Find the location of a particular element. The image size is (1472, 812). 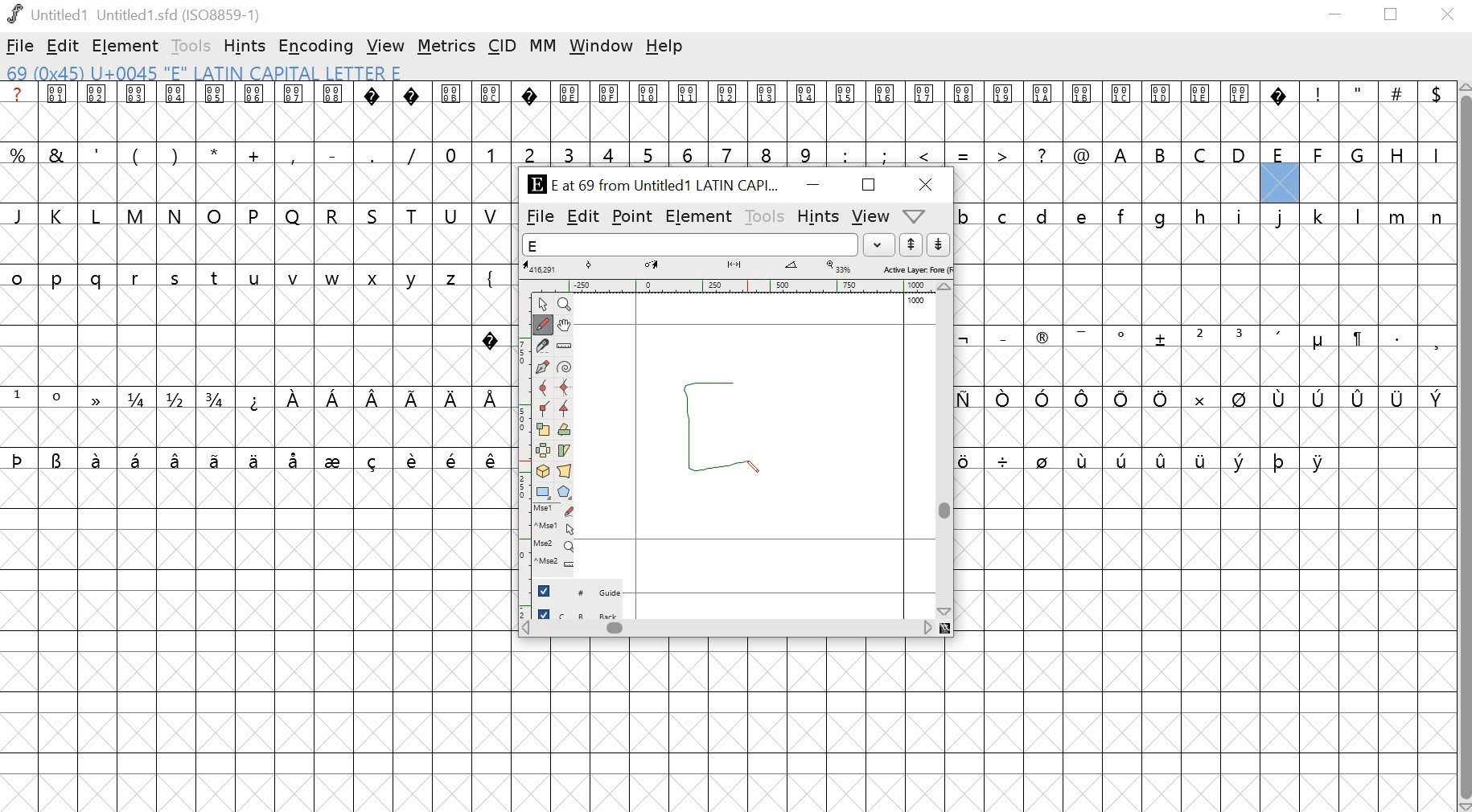

scrollbar is located at coordinates (948, 450).